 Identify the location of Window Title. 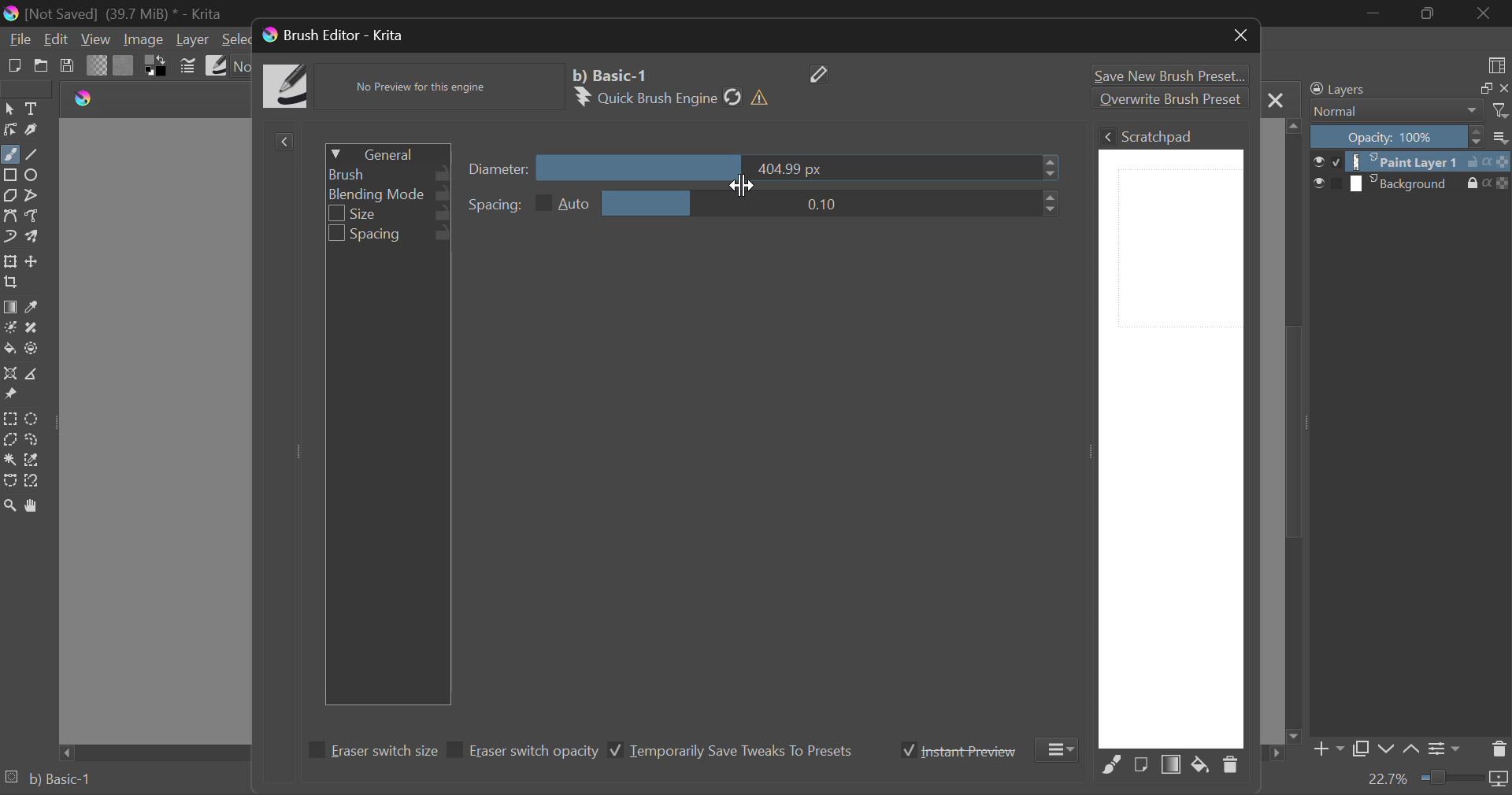
(332, 35).